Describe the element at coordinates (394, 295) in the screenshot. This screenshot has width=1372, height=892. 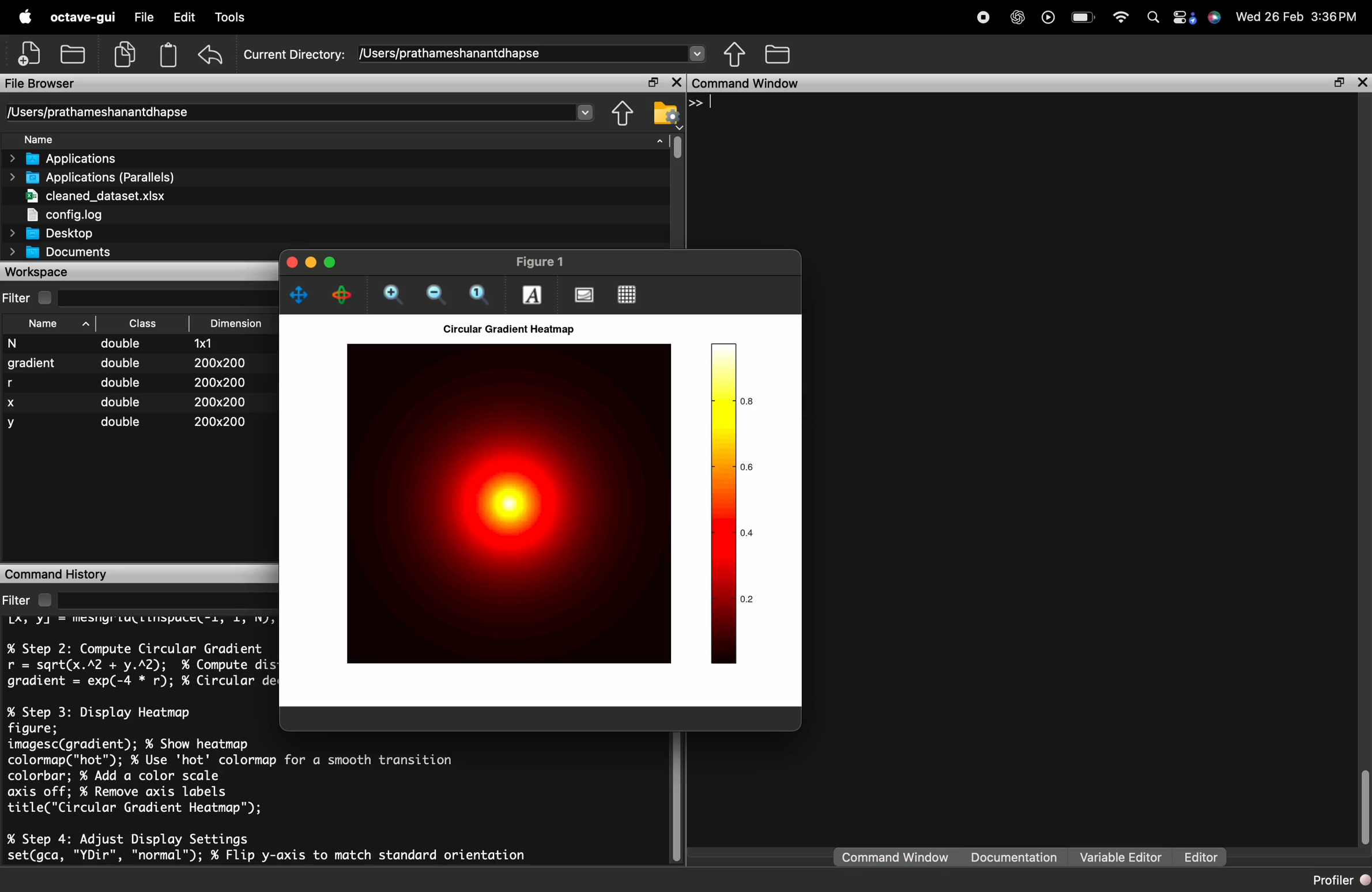
I see `zoom in` at that location.